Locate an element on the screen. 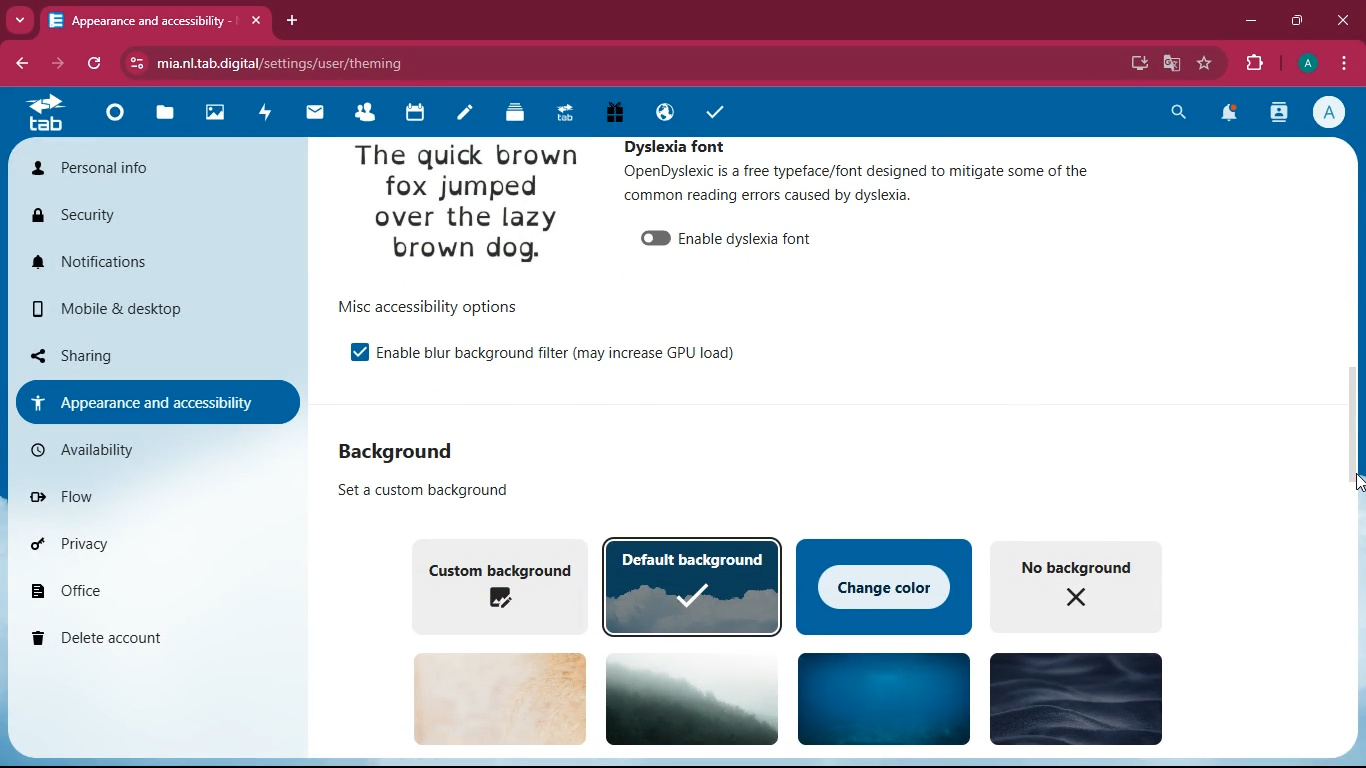  forward is located at coordinates (61, 64).